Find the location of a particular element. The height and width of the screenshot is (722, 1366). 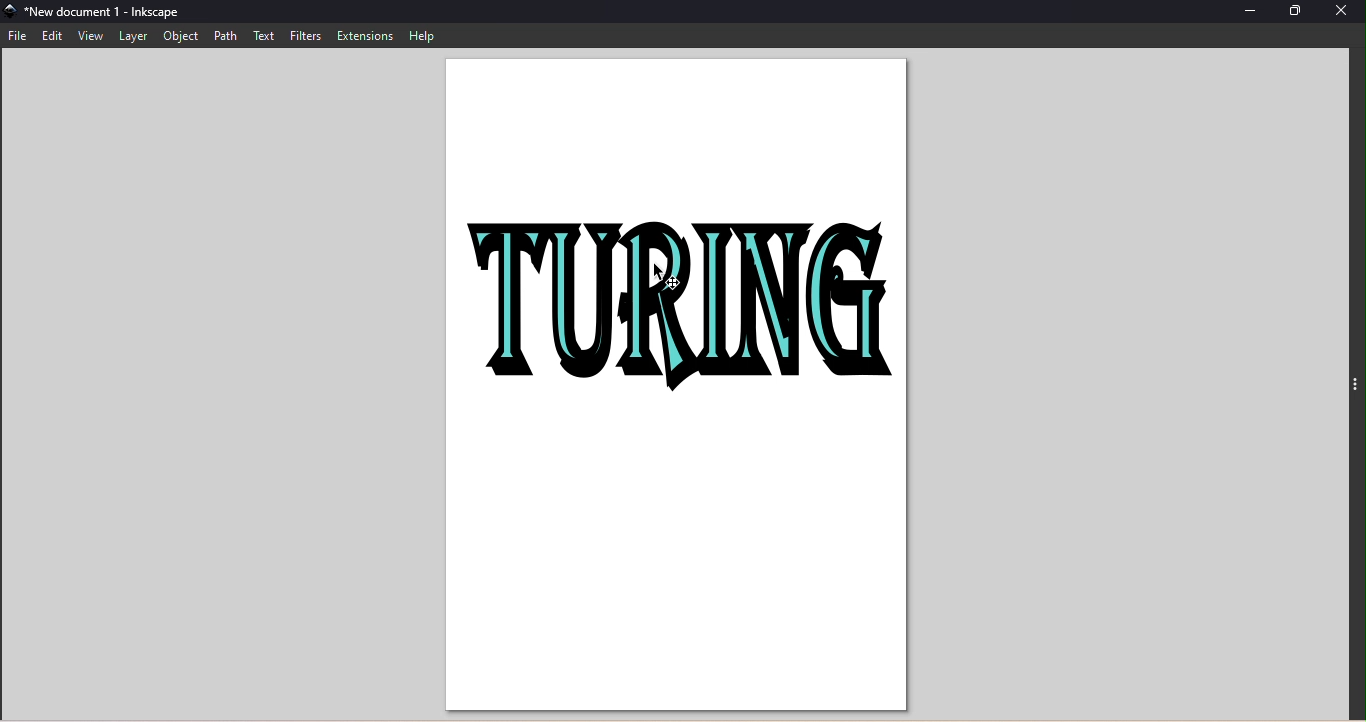

File is located at coordinates (19, 37).